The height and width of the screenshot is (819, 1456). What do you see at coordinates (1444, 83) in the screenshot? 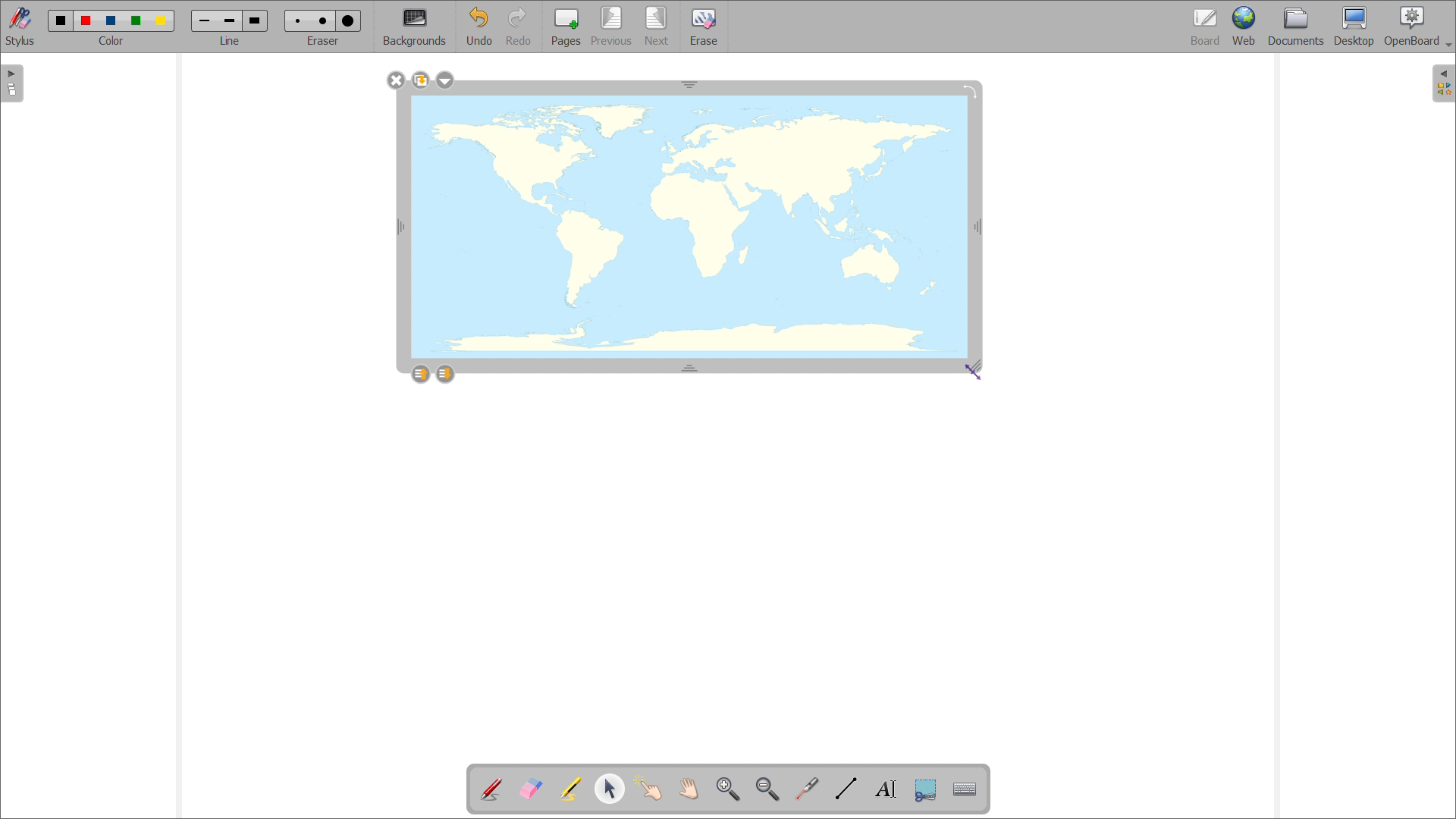
I see `open folder view` at bounding box center [1444, 83].